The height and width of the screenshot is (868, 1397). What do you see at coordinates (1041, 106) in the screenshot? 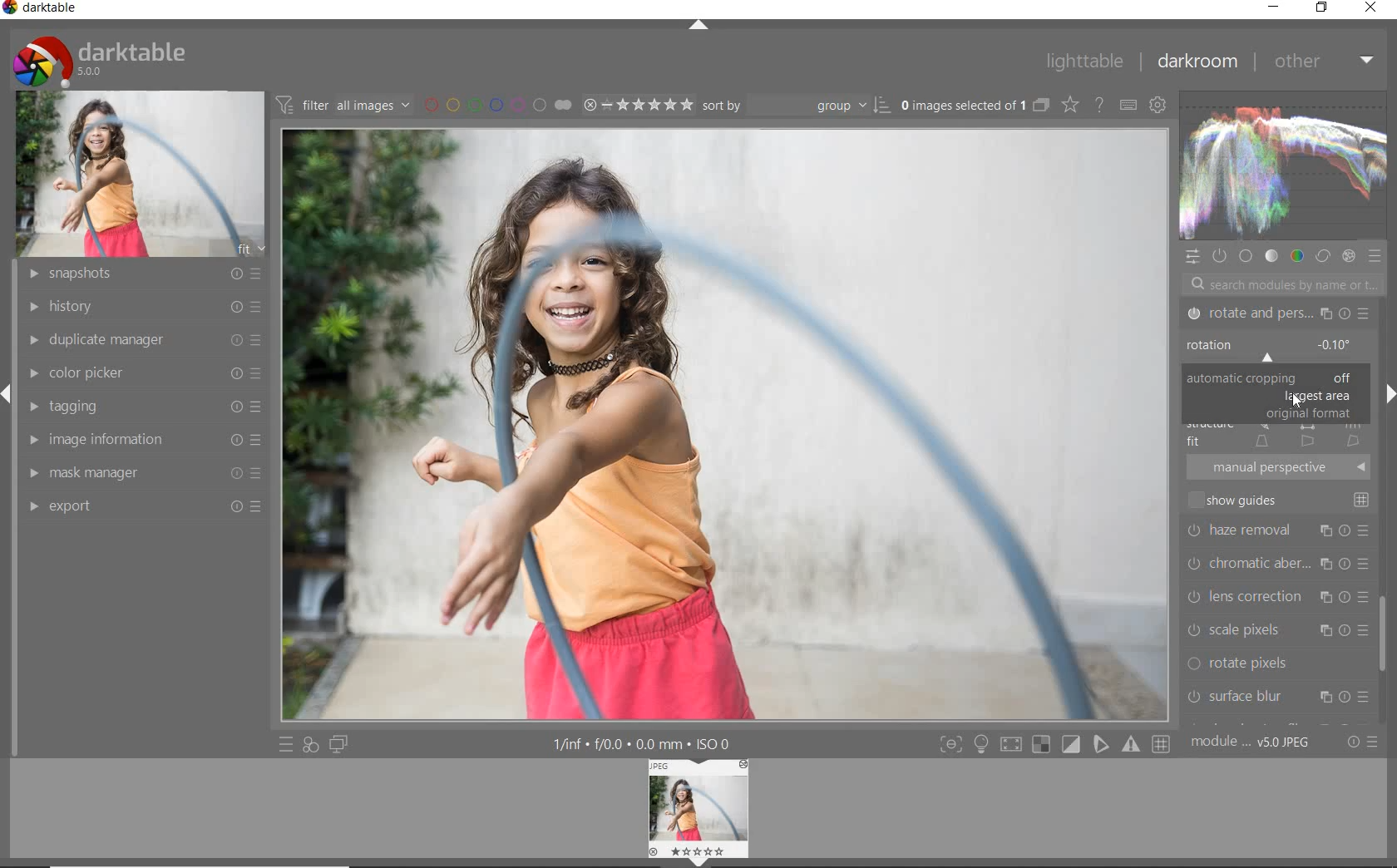
I see `collapse grouped images` at bounding box center [1041, 106].